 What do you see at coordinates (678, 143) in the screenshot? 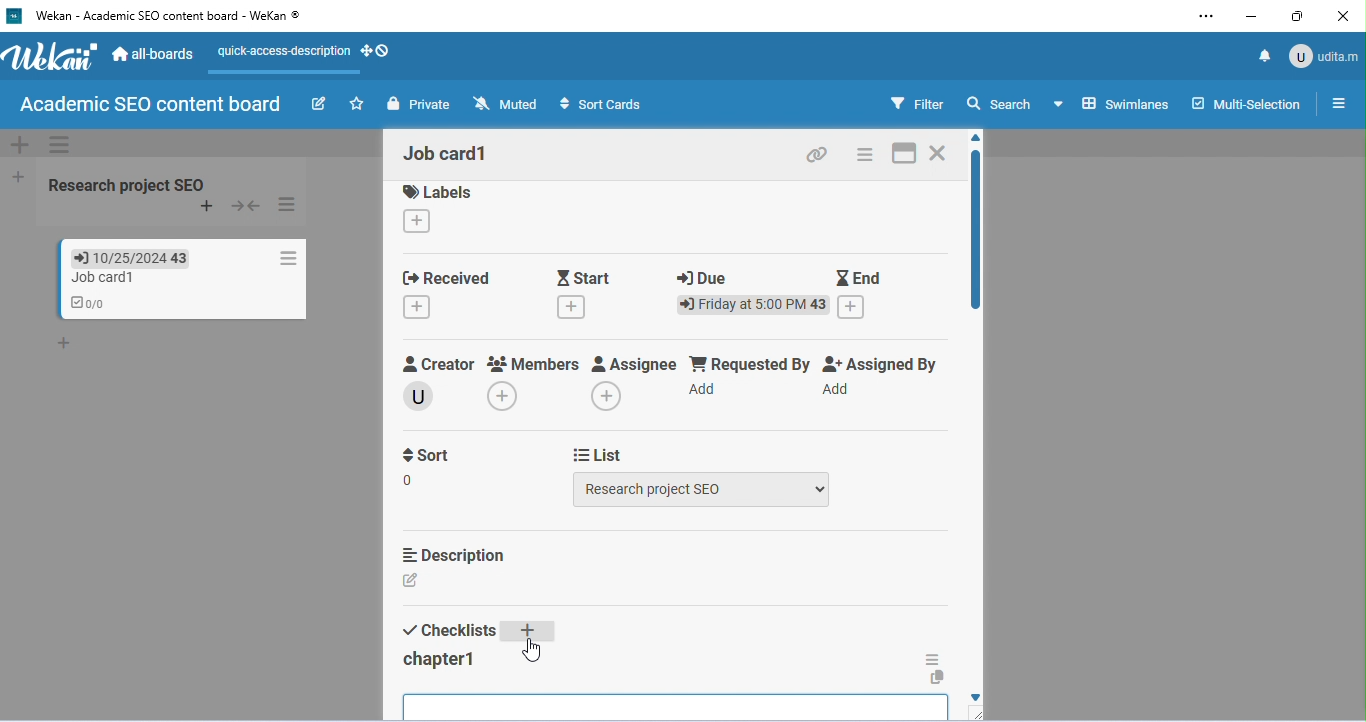
I see `default` at bounding box center [678, 143].